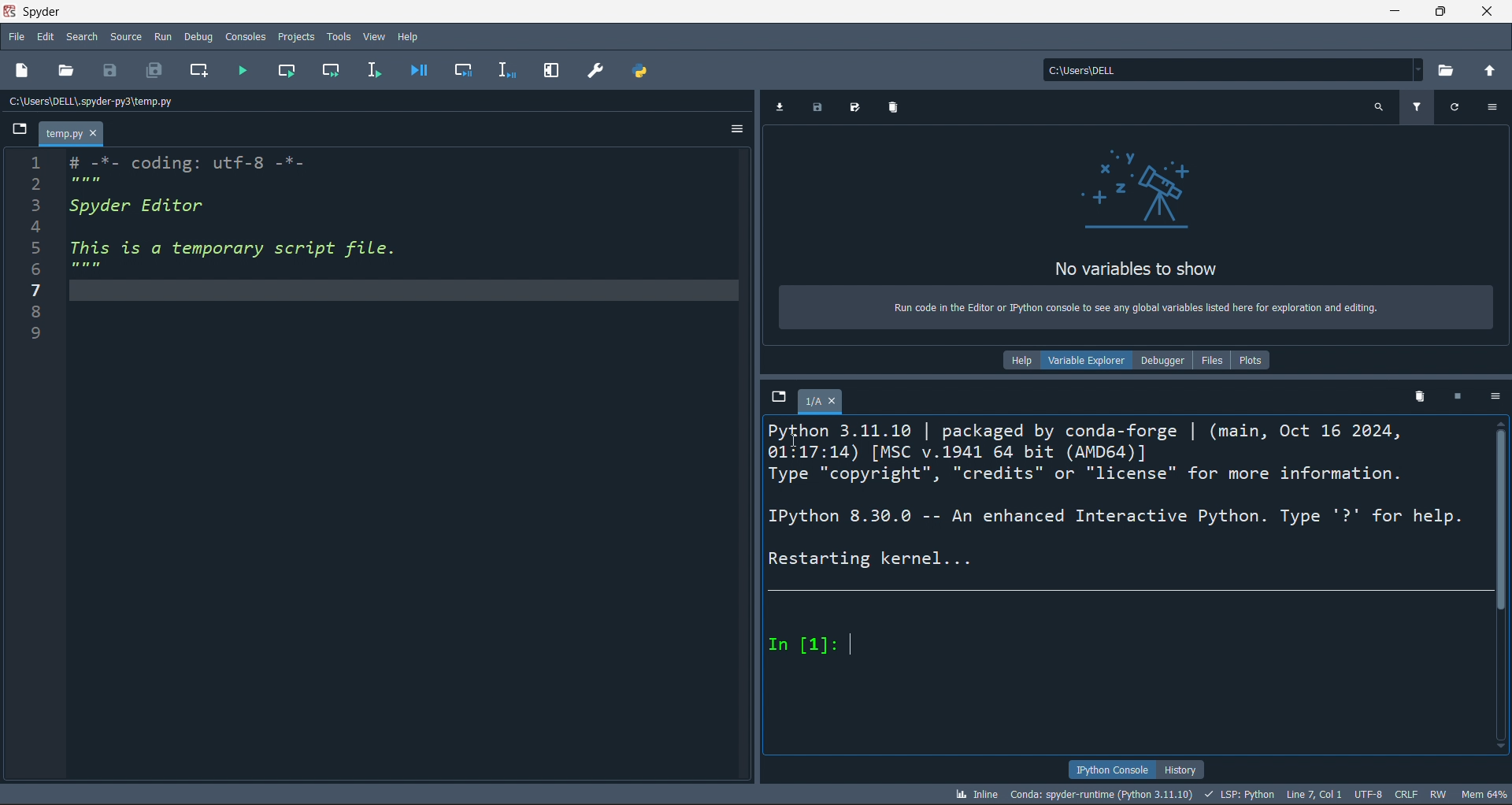  Describe the element at coordinates (1503, 589) in the screenshot. I see `scroll bar` at that location.